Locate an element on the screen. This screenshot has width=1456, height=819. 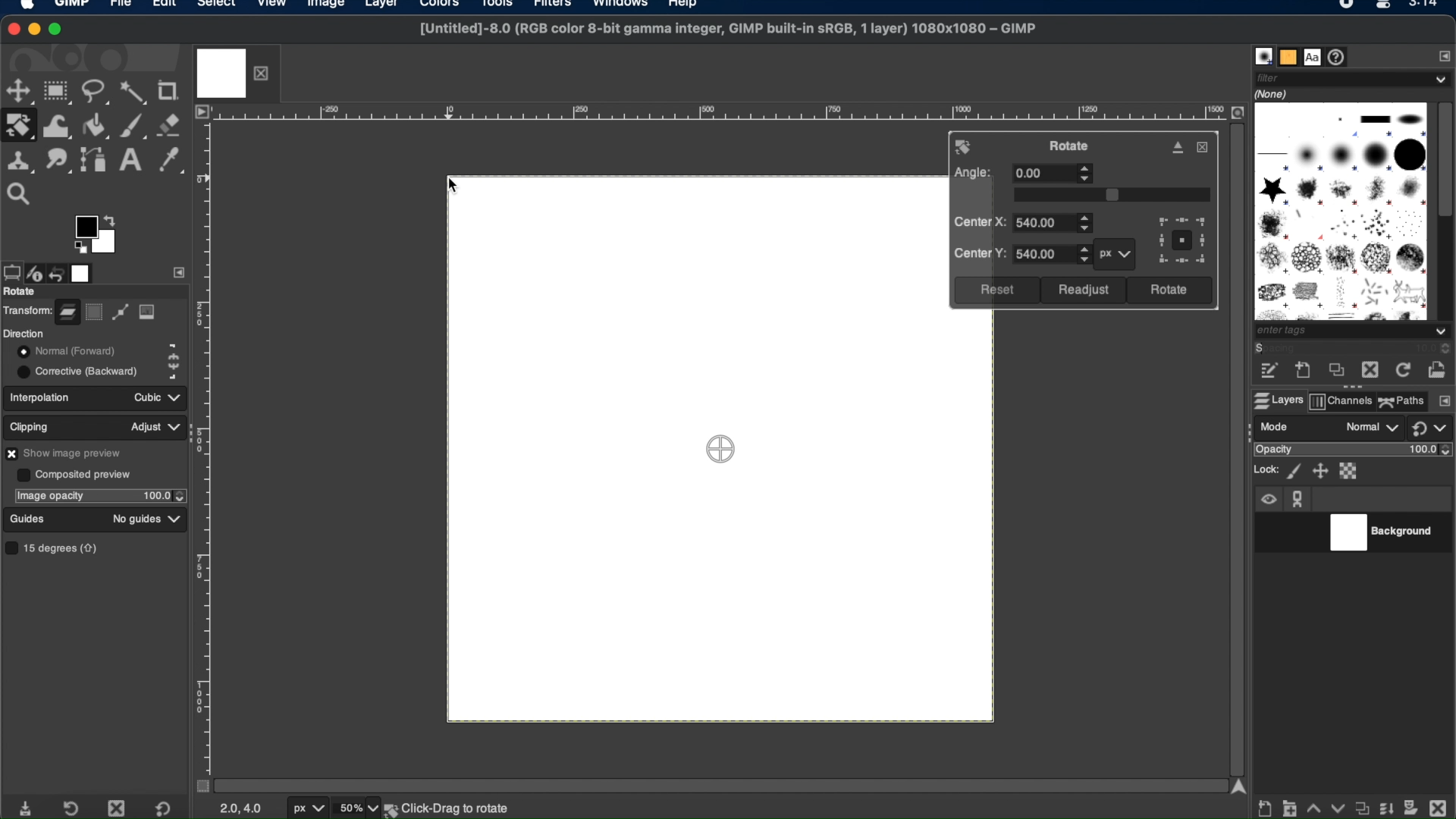
interpolation is located at coordinates (43, 397).